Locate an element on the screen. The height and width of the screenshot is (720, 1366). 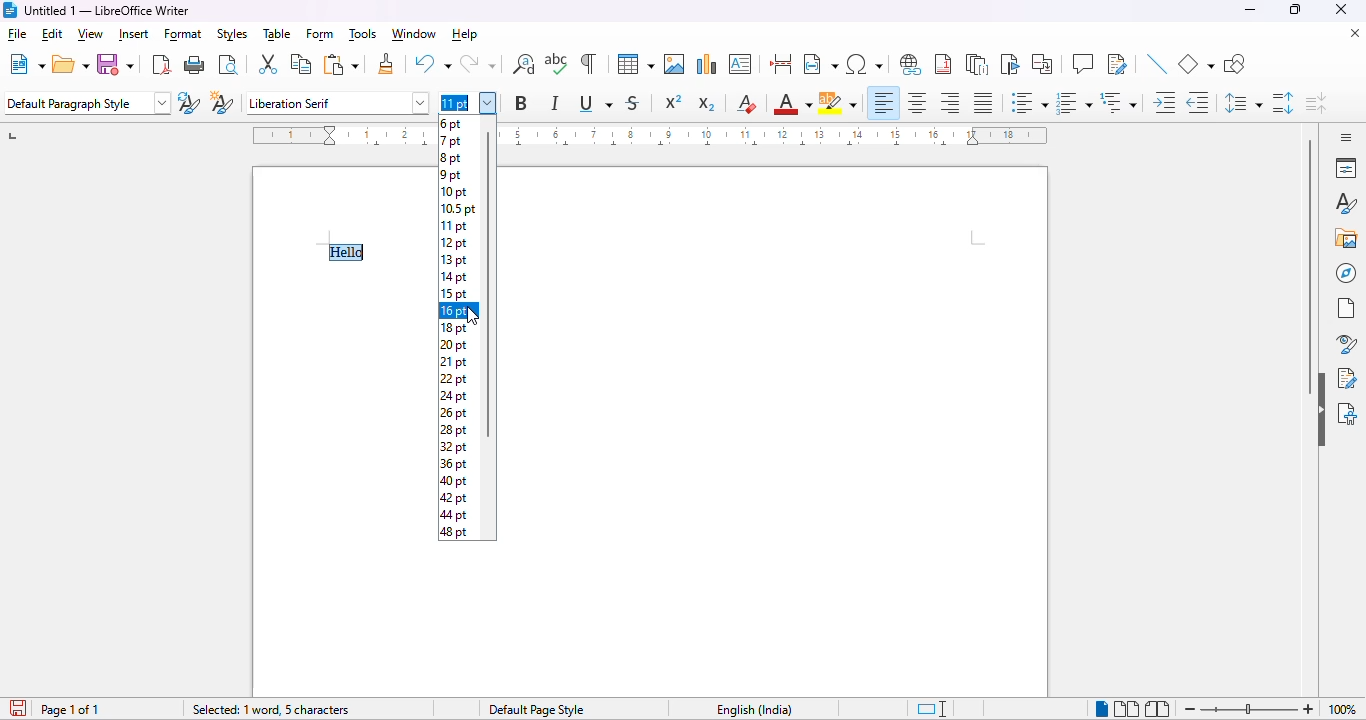
update paragraph style is located at coordinates (189, 102).